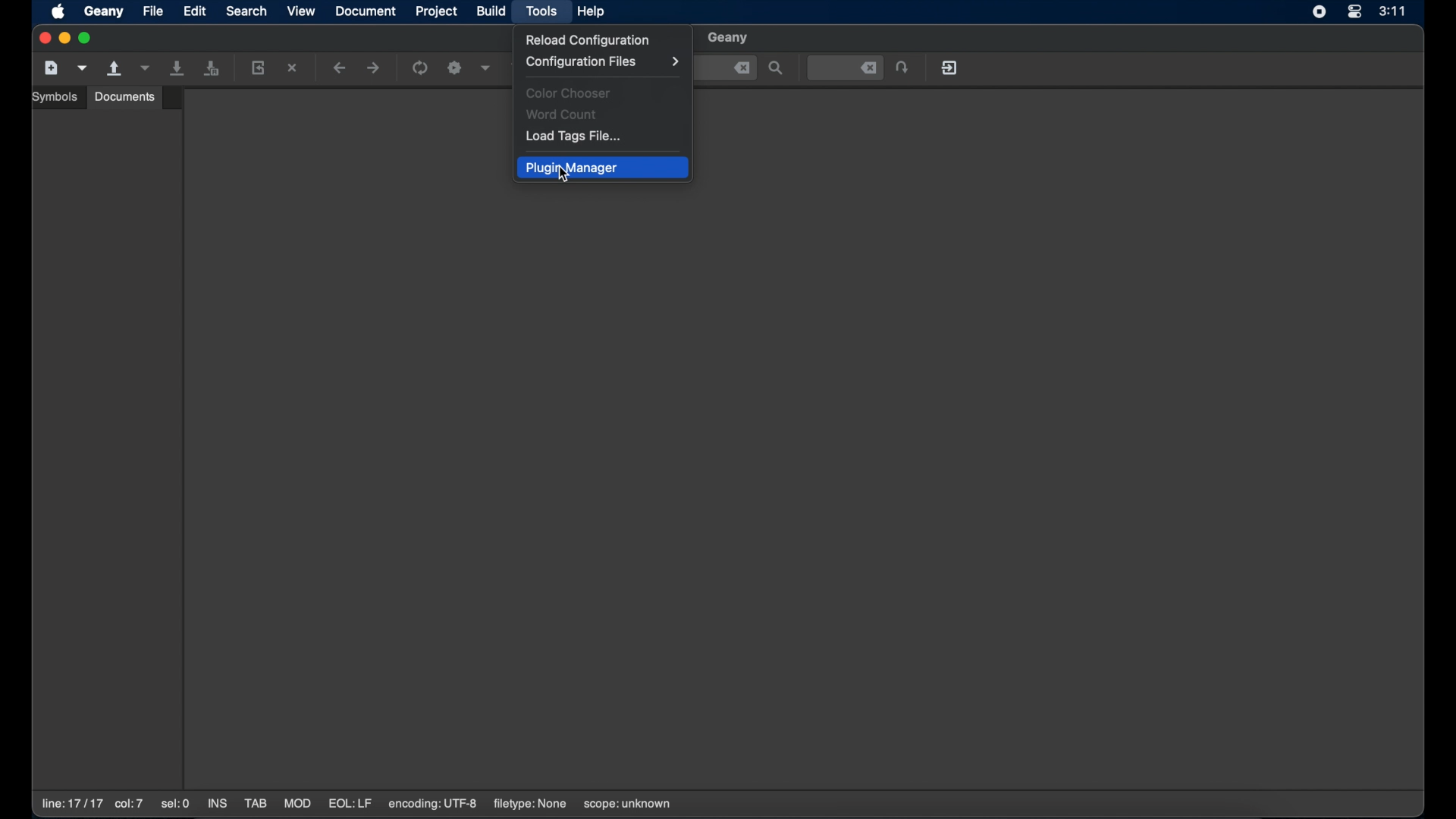 The image size is (1456, 819). What do you see at coordinates (542, 12) in the screenshot?
I see `tools` at bounding box center [542, 12].